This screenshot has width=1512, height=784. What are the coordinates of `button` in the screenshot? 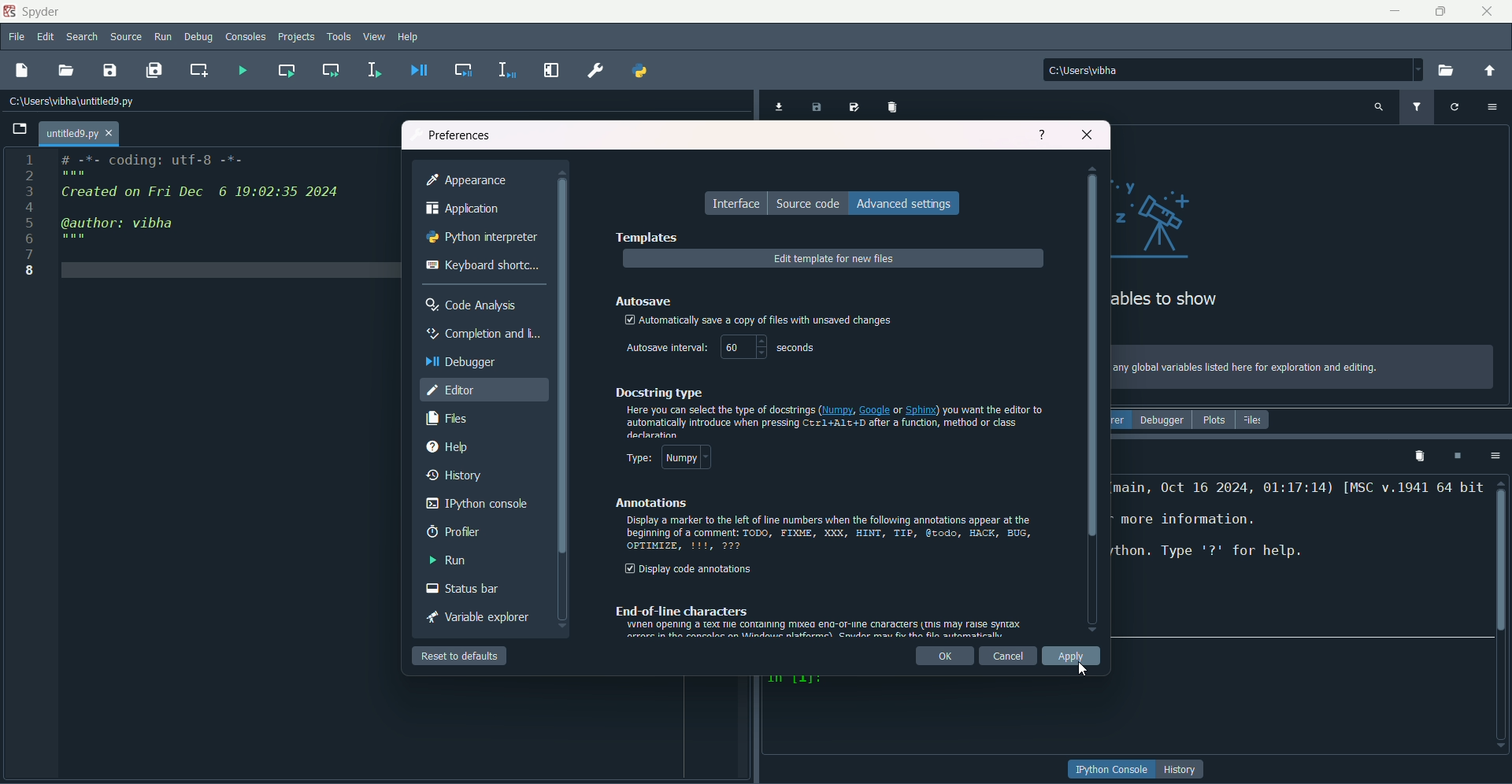 It's located at (1112, 770).